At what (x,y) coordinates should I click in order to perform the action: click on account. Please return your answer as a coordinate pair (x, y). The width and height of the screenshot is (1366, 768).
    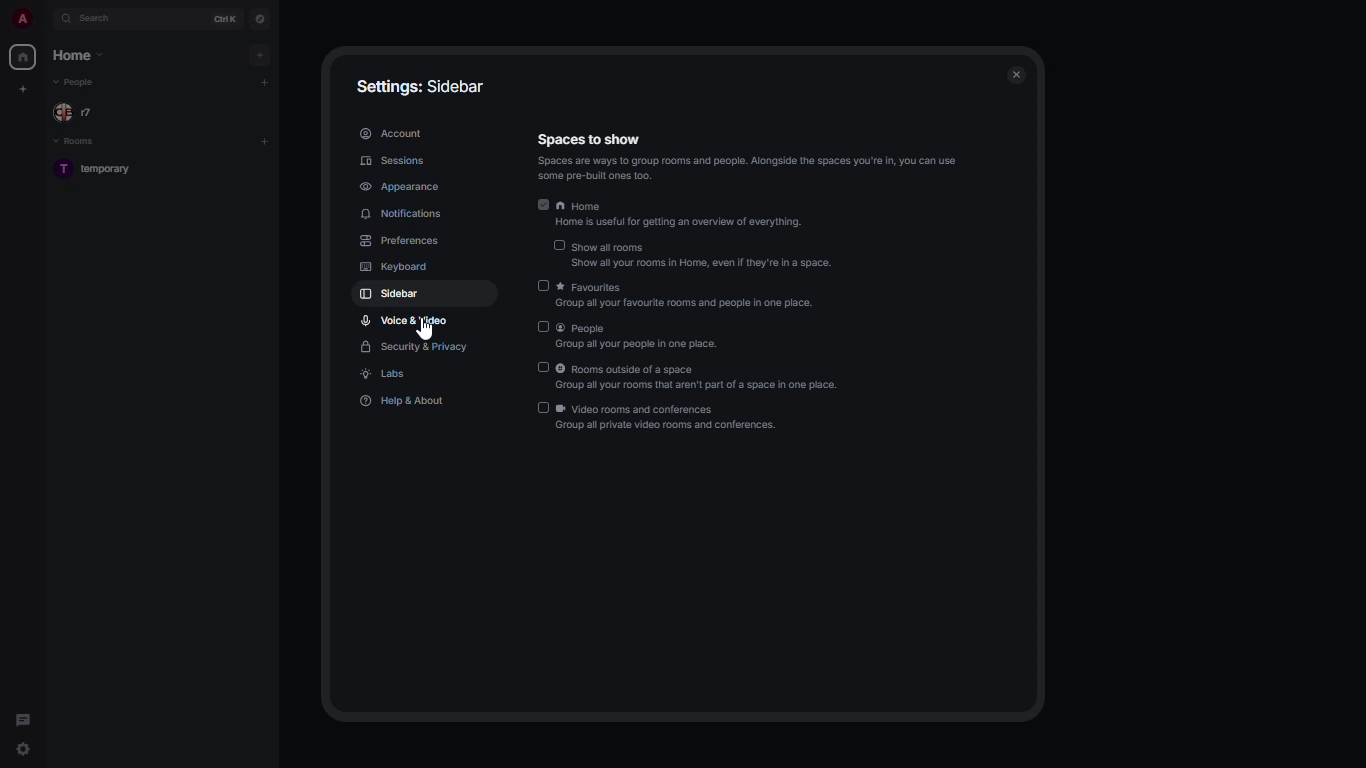
    Looking at the image, I should click on (390, 133).